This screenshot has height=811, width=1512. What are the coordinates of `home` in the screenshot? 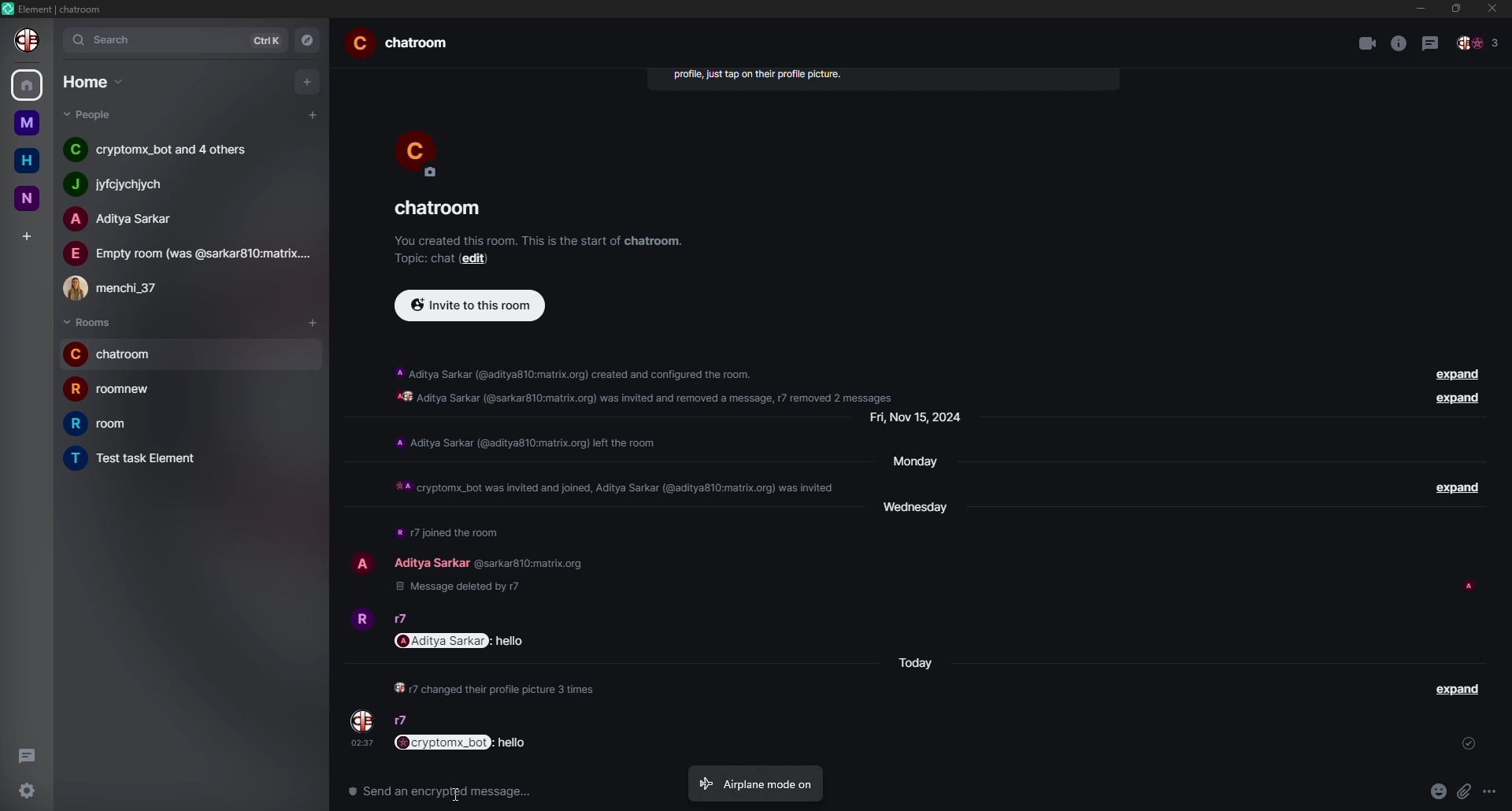 It's located at (26, 159).